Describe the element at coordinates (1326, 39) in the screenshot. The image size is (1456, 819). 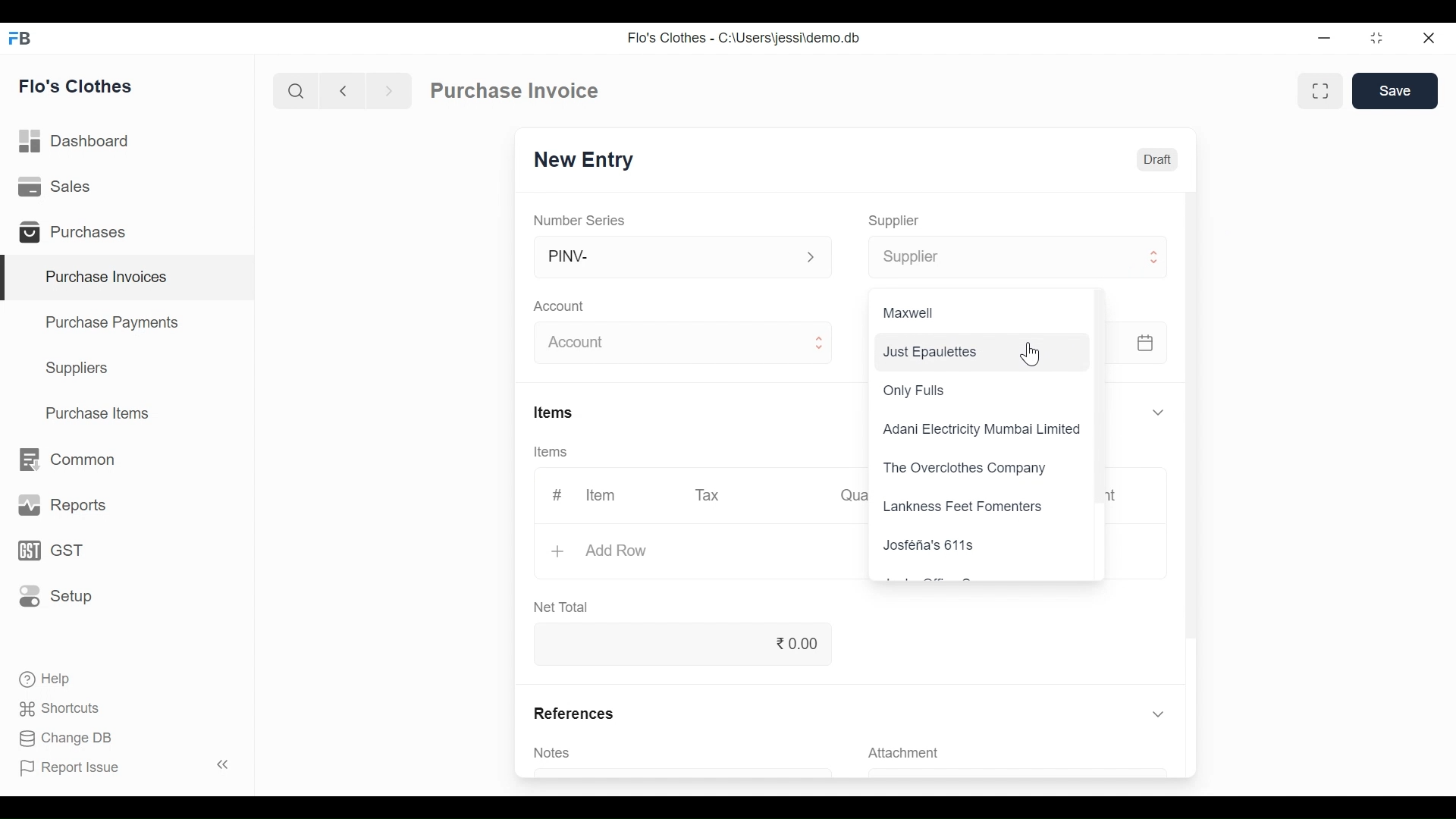
I see `minimize` at that location.